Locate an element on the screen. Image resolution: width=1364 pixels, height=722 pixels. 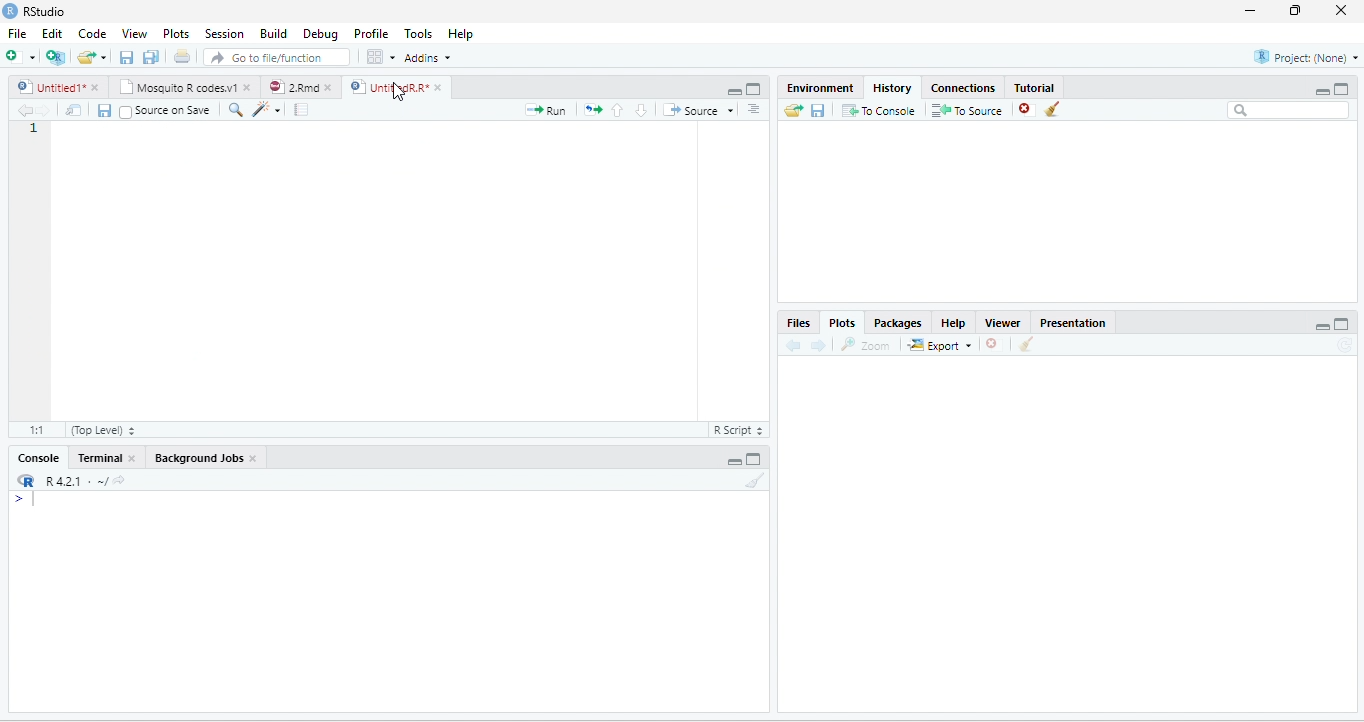
RStudio is located at coordinates (34, 11).